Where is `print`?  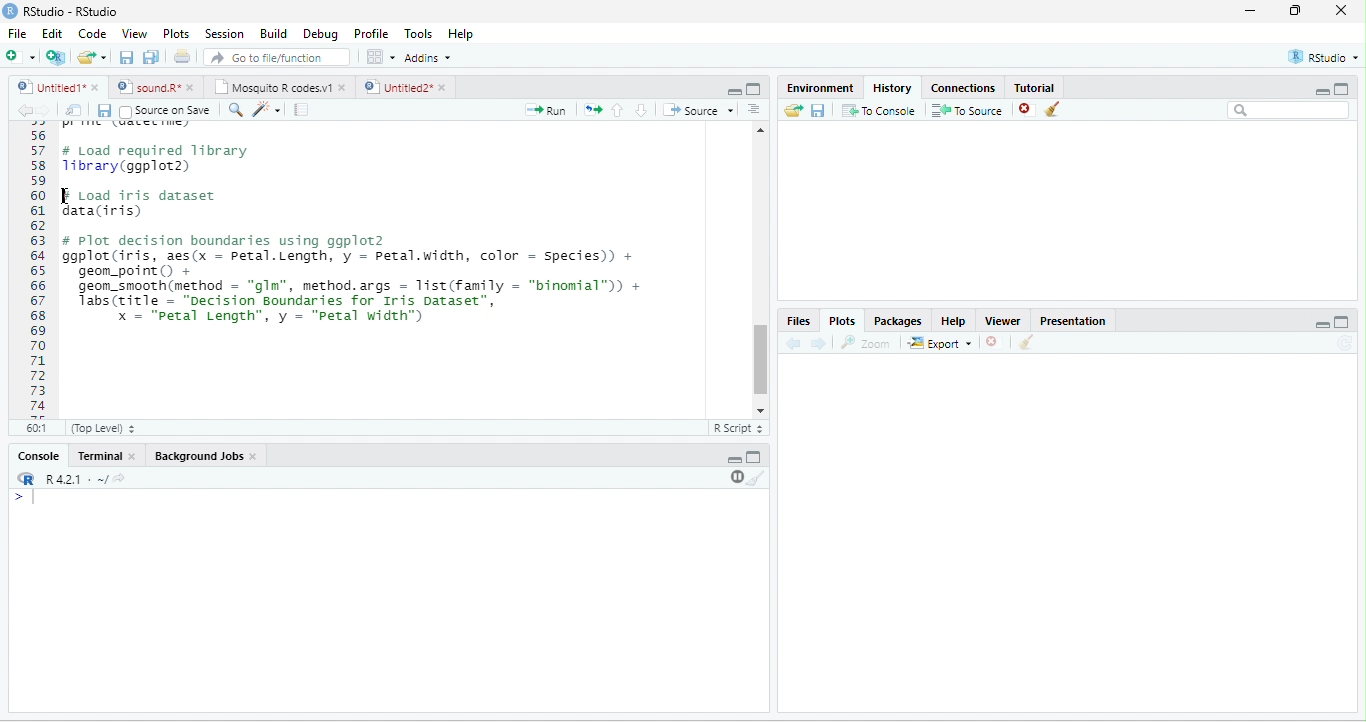 print is located at coordinates (181, 56).